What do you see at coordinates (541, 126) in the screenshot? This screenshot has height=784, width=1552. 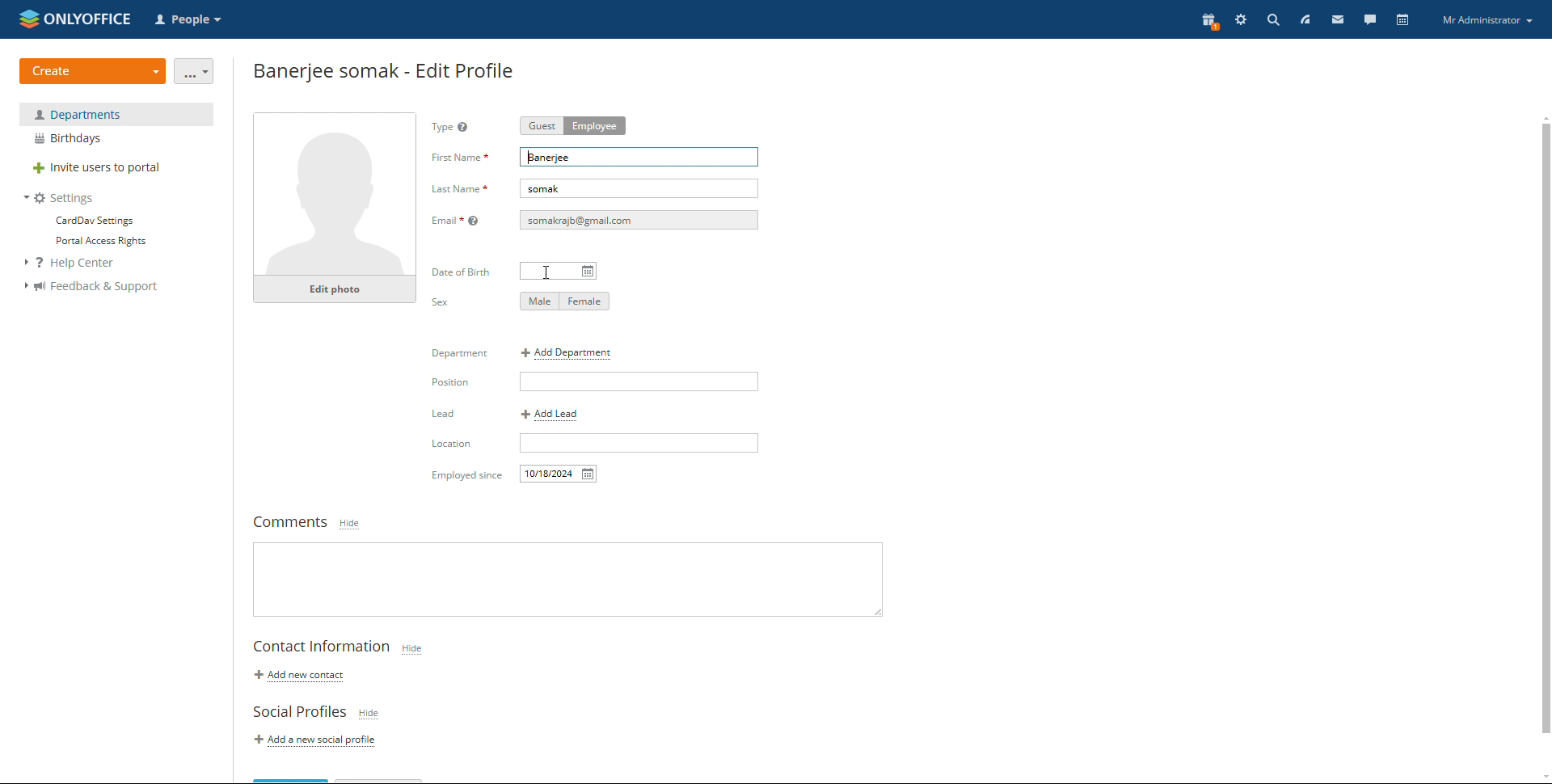 I see `guest` at bounding box center [541, 126].